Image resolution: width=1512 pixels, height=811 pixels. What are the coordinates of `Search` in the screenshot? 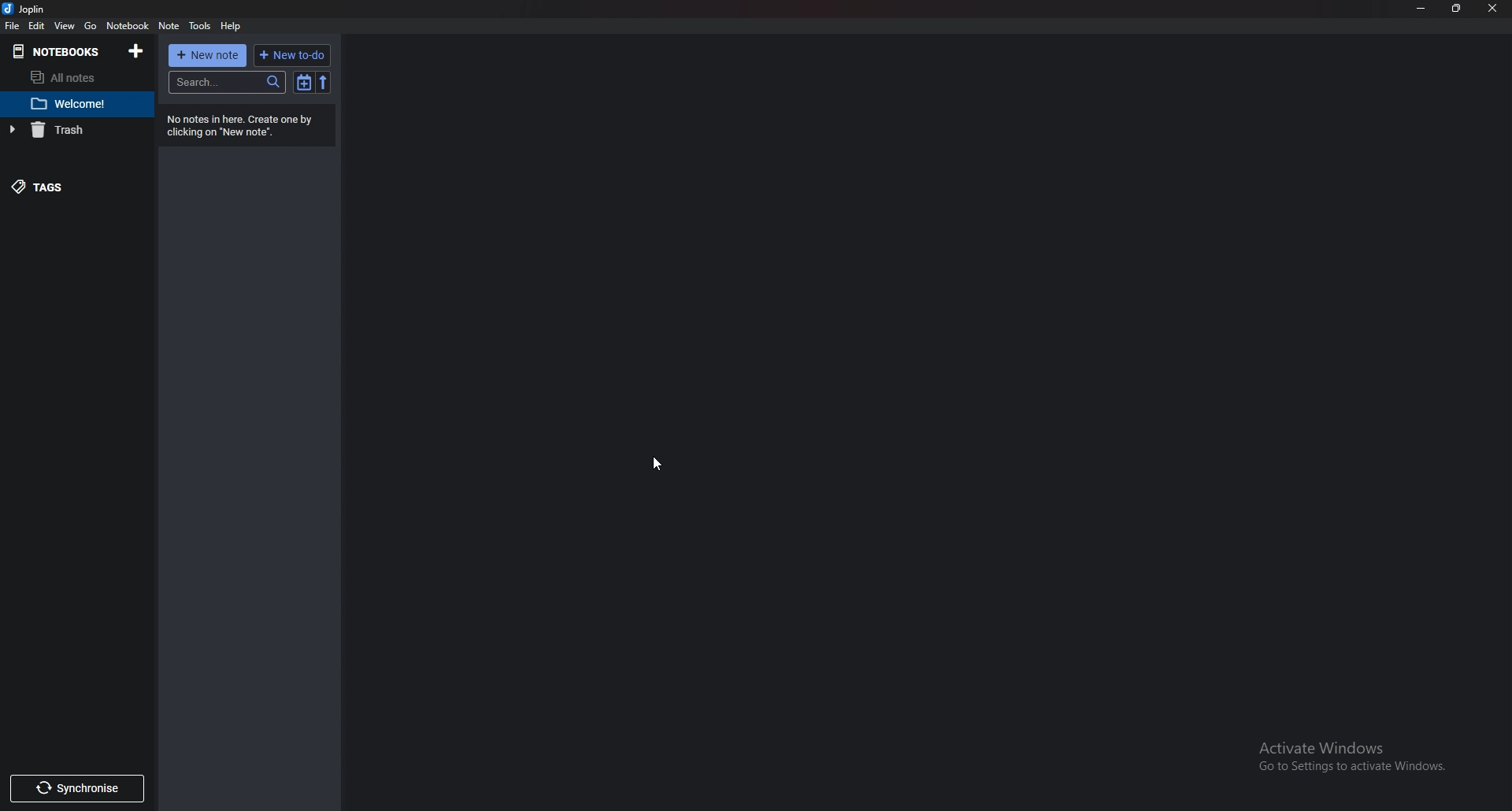 It's located at (230, 83).